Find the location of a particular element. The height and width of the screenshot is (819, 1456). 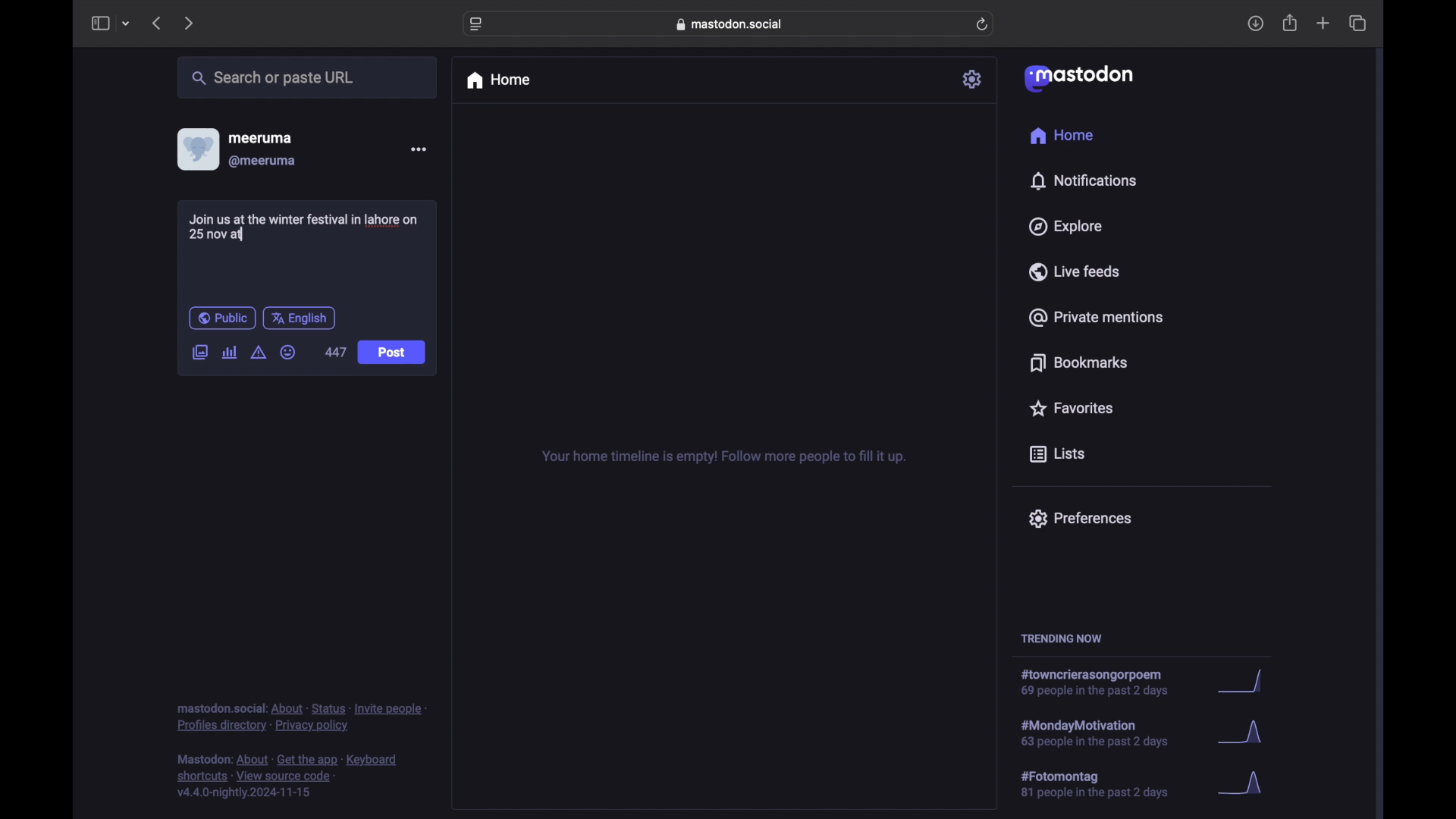

add  poll is located at coordinates (229, 352).